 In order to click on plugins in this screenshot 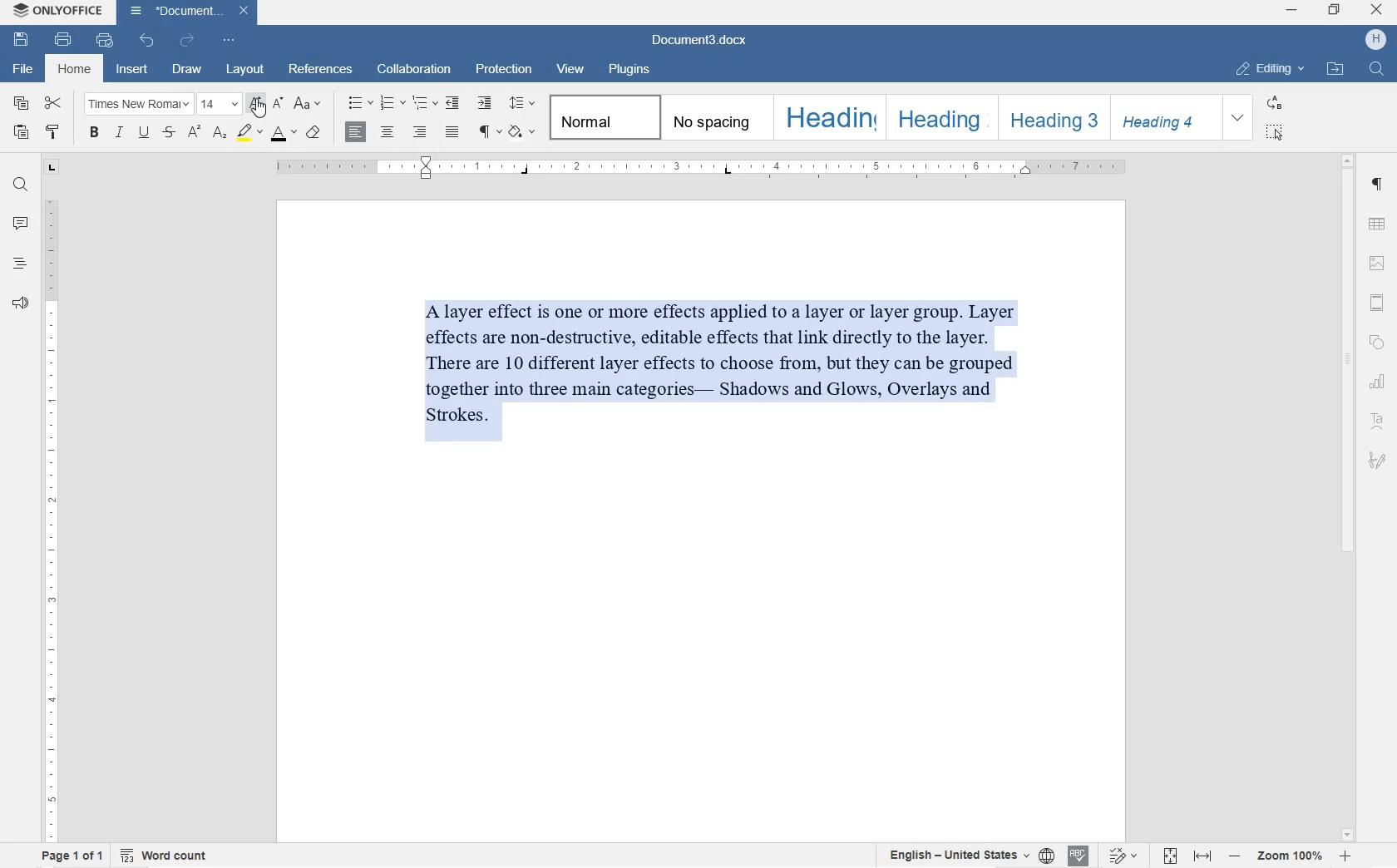, I will do `click(629, 70)`.